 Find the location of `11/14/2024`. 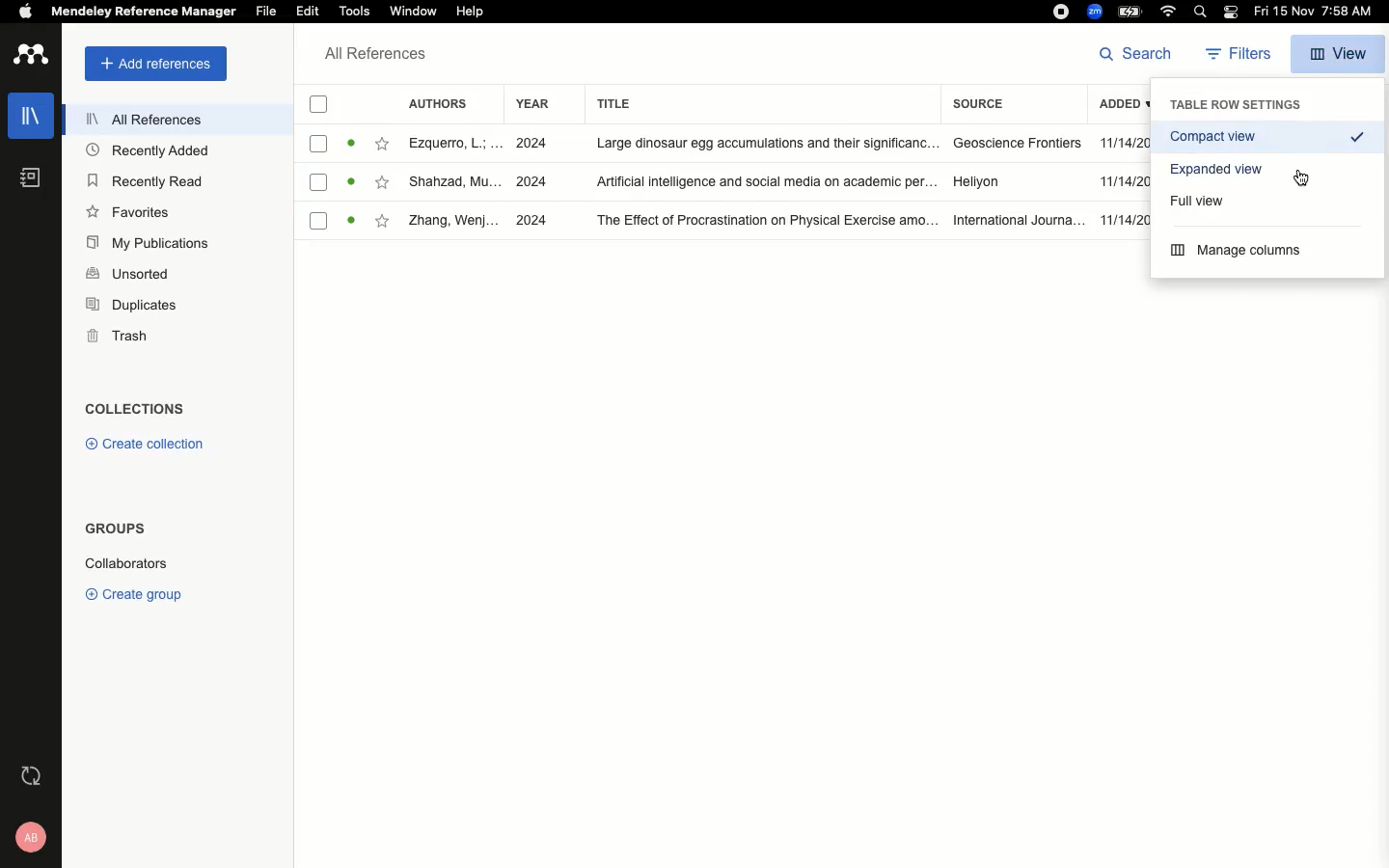

11/14/2024 is located at coordinates (1123, 183).